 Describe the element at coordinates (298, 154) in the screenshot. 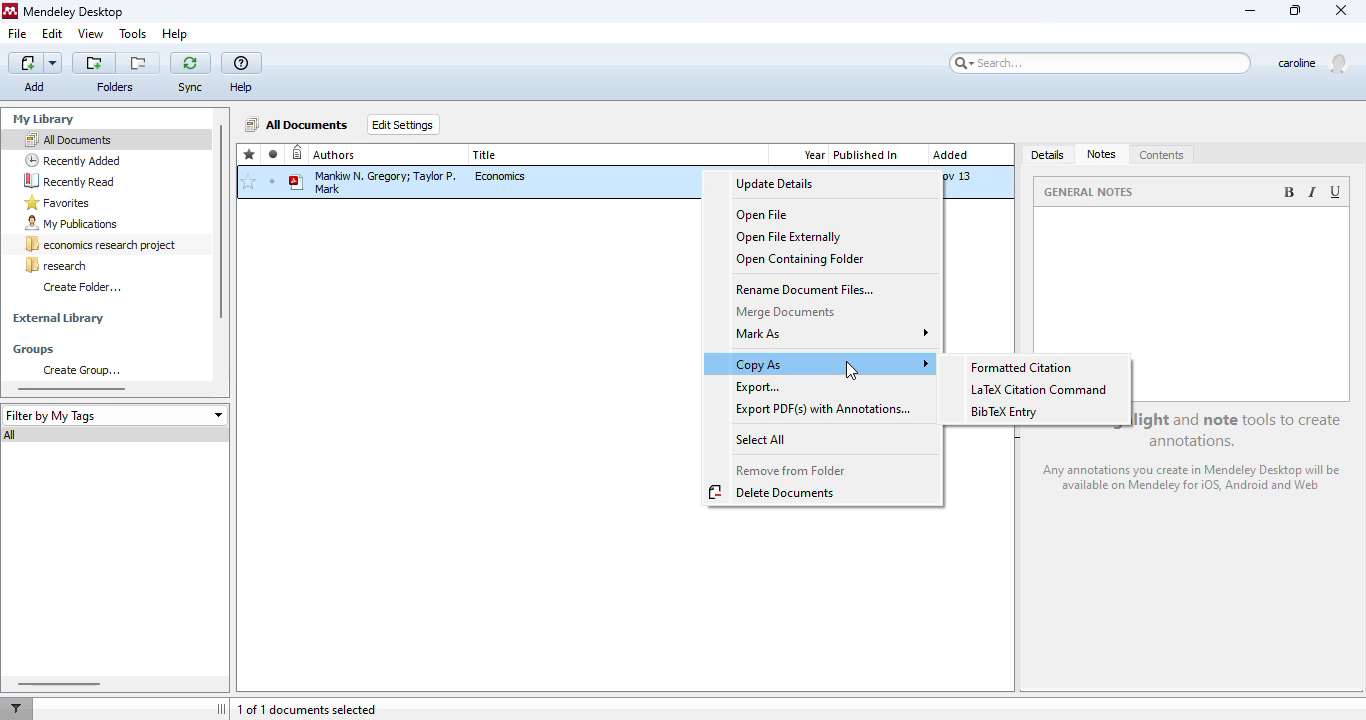

I see `recently added` at that location.